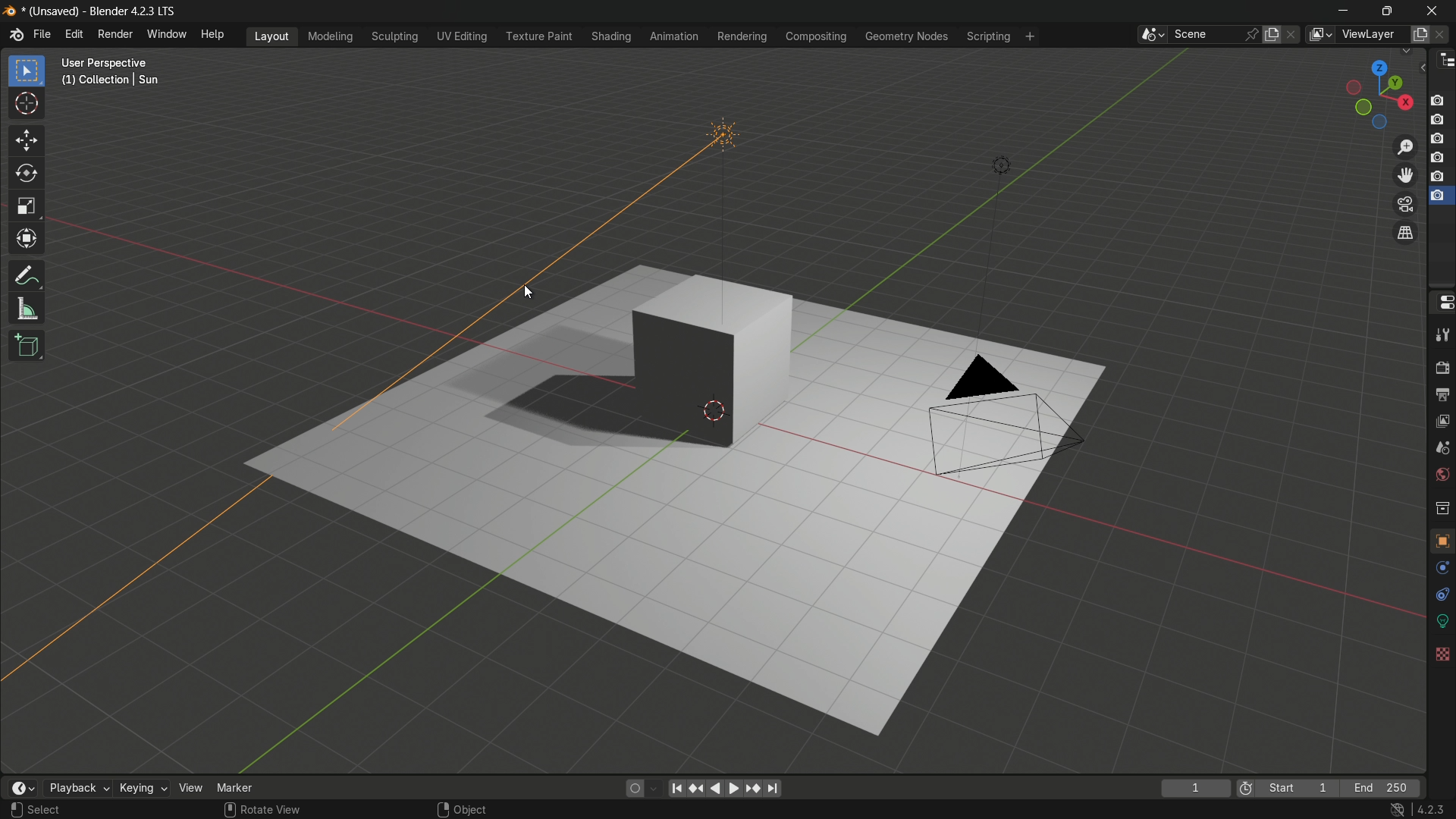 The image size is (1456, 819). What do you see at coordinates (42, 34) in the screenshot?
I see `file menu` at bounding box center [42, 34].